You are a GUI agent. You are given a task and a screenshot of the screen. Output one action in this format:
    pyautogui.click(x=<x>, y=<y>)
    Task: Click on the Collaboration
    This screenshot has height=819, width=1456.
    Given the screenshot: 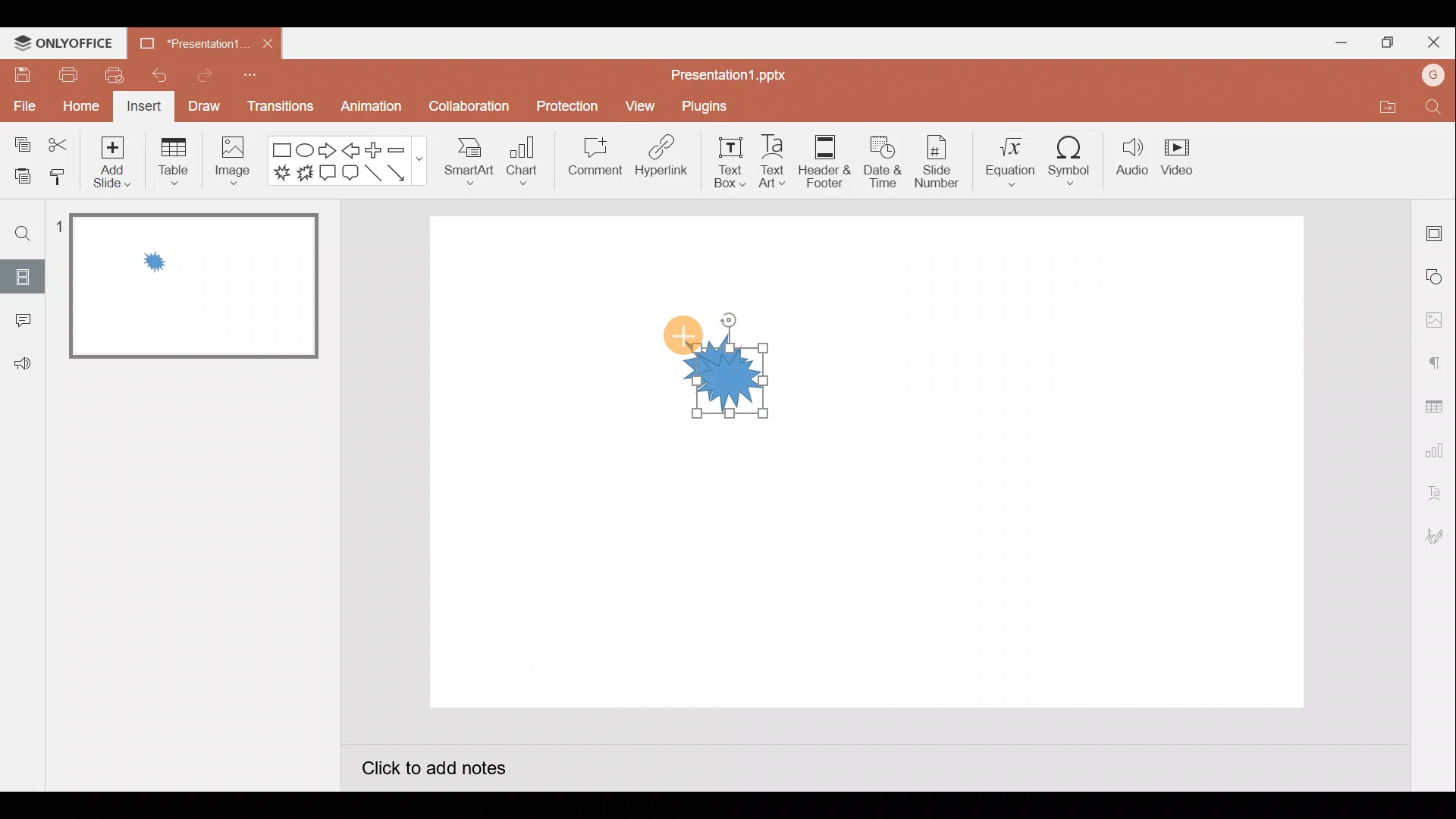 What is the action you would take?
    pyautogui.click(x=466, y=106)
    